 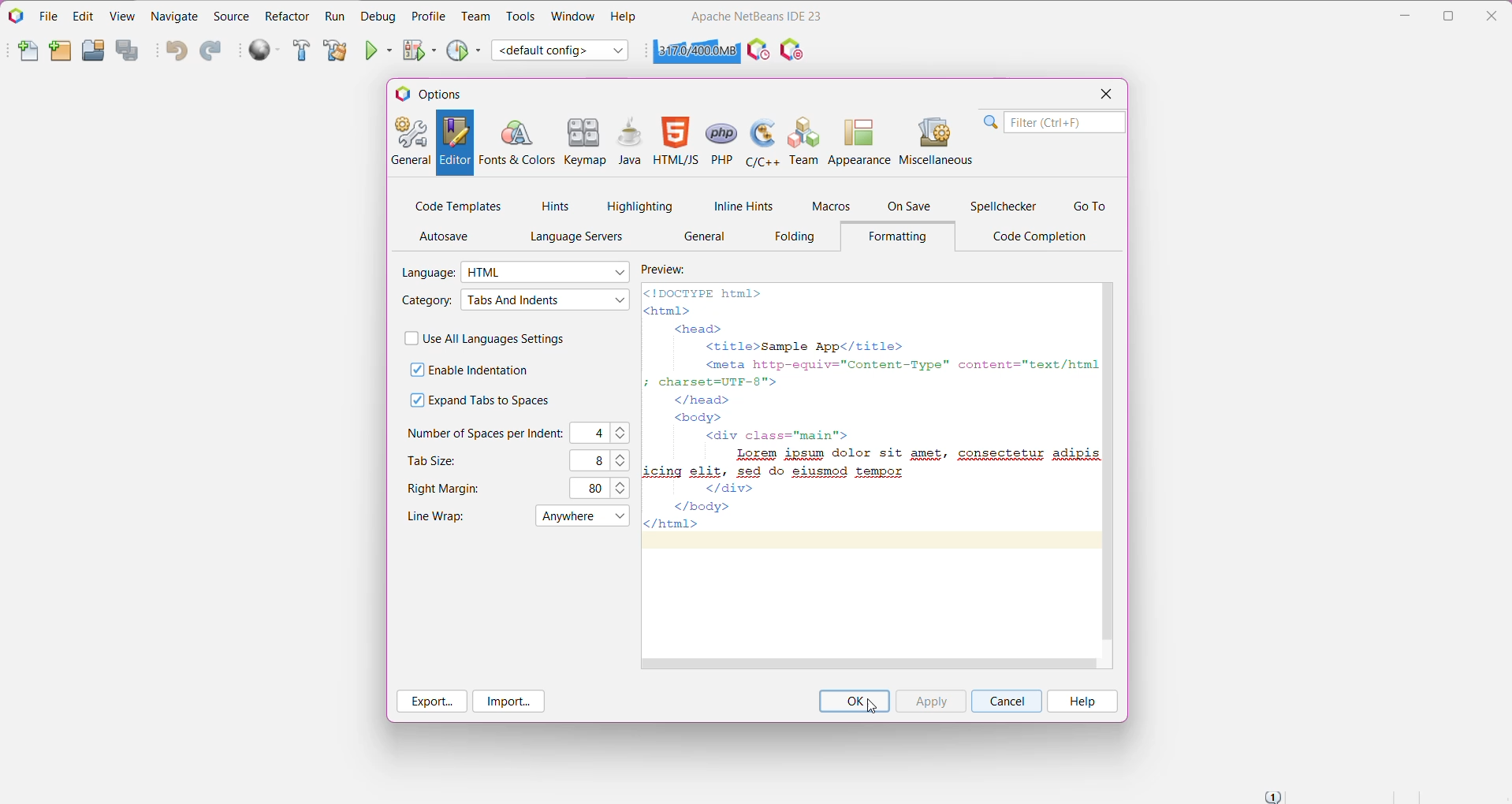 I want to click on Search Bar, so click(x=1052, y=122).